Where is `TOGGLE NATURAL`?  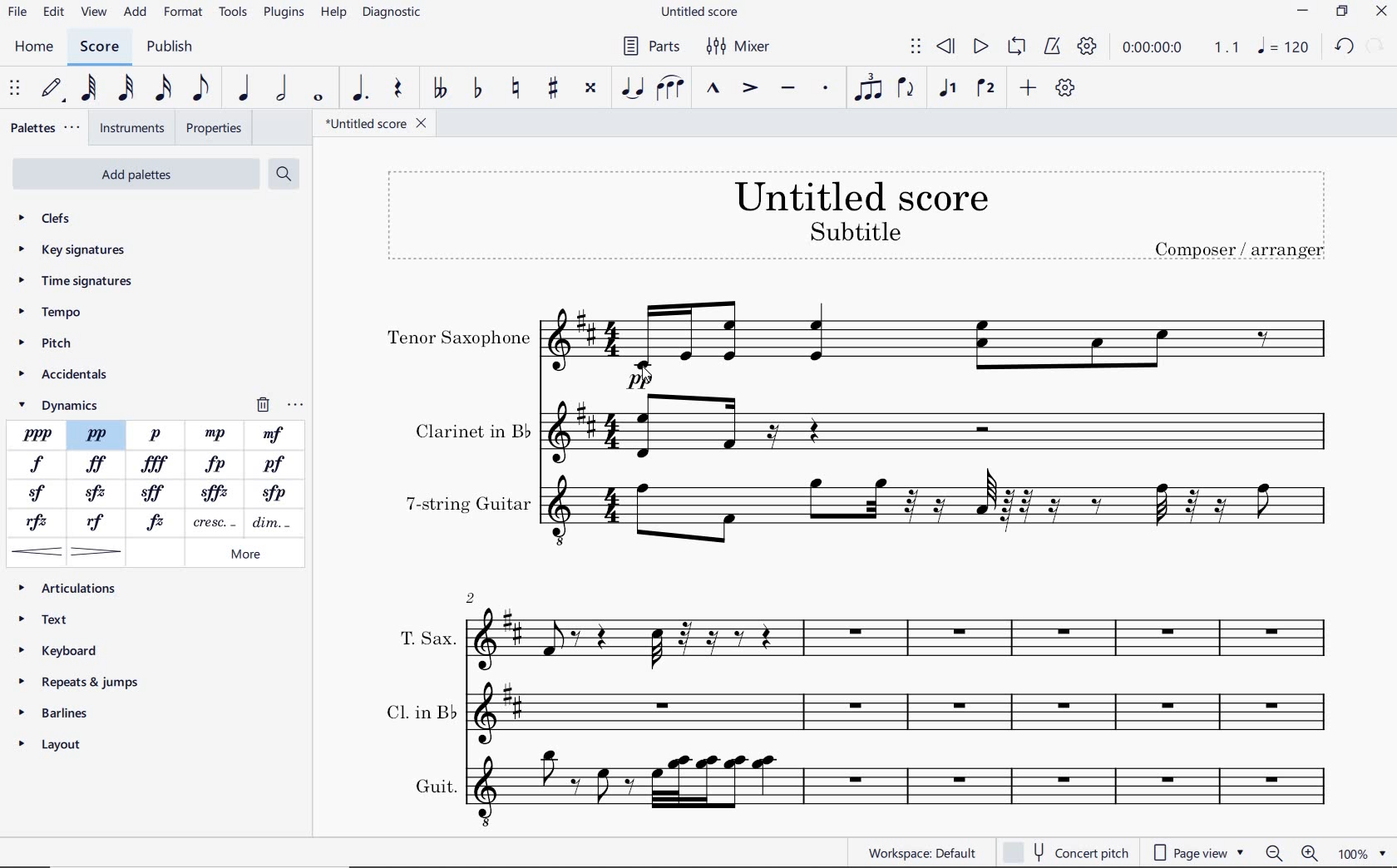 TOGGLE NATURAL is located at coordinates (516, 88).